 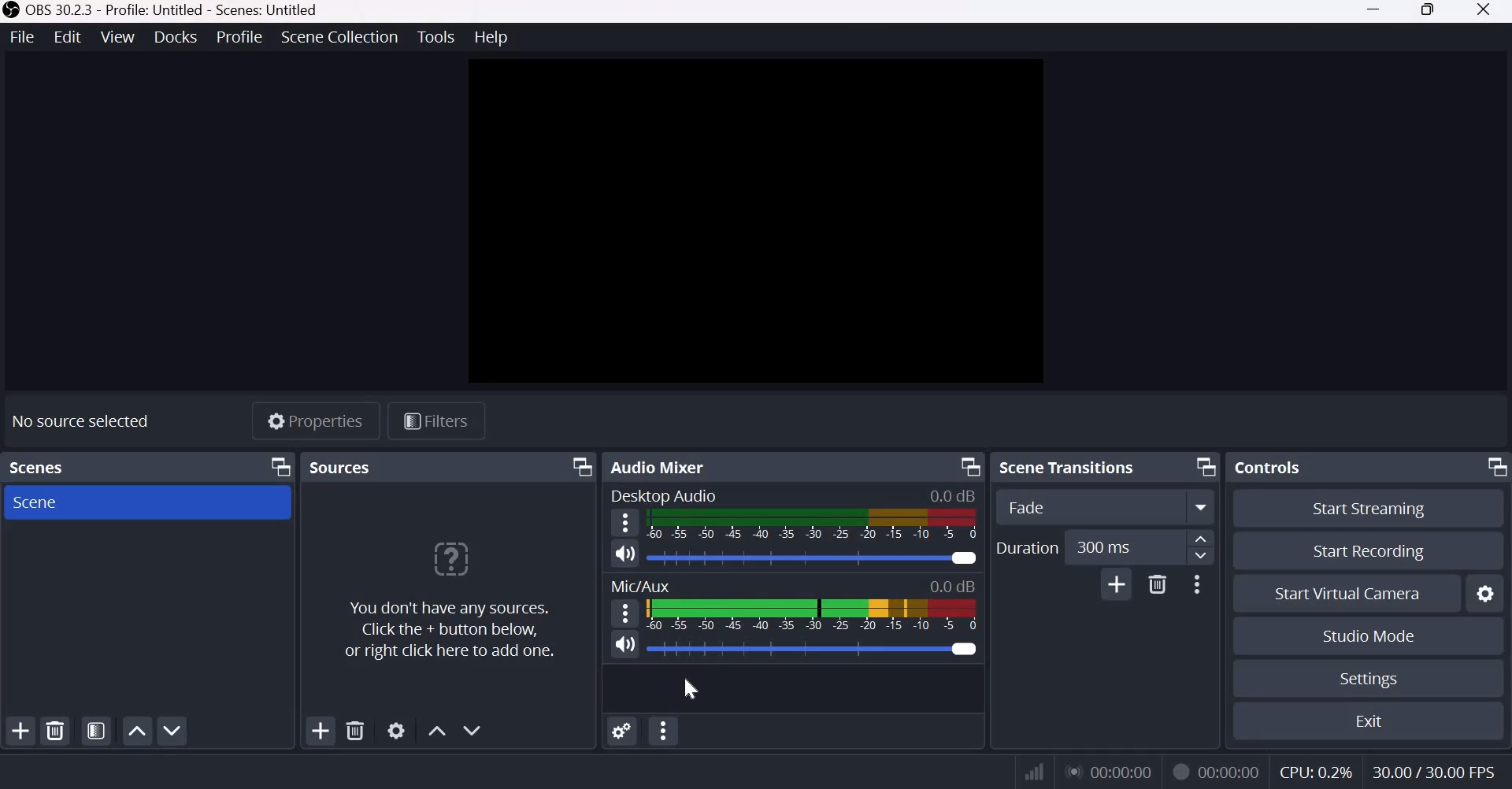 I want to click on Properties, so click(x=316, y=420).